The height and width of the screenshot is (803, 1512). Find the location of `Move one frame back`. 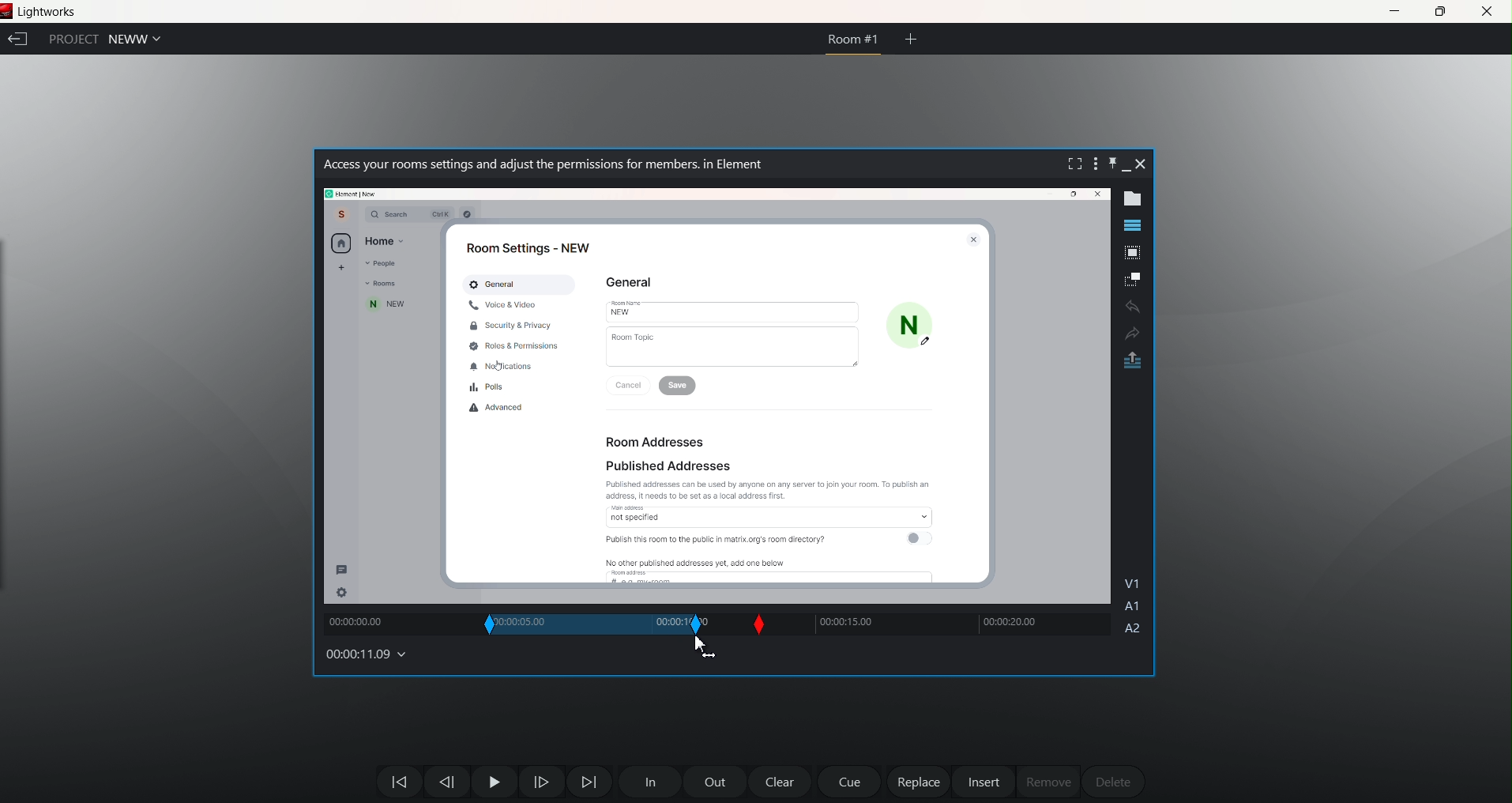

Move one frame back is located at coordinates (444, 782).